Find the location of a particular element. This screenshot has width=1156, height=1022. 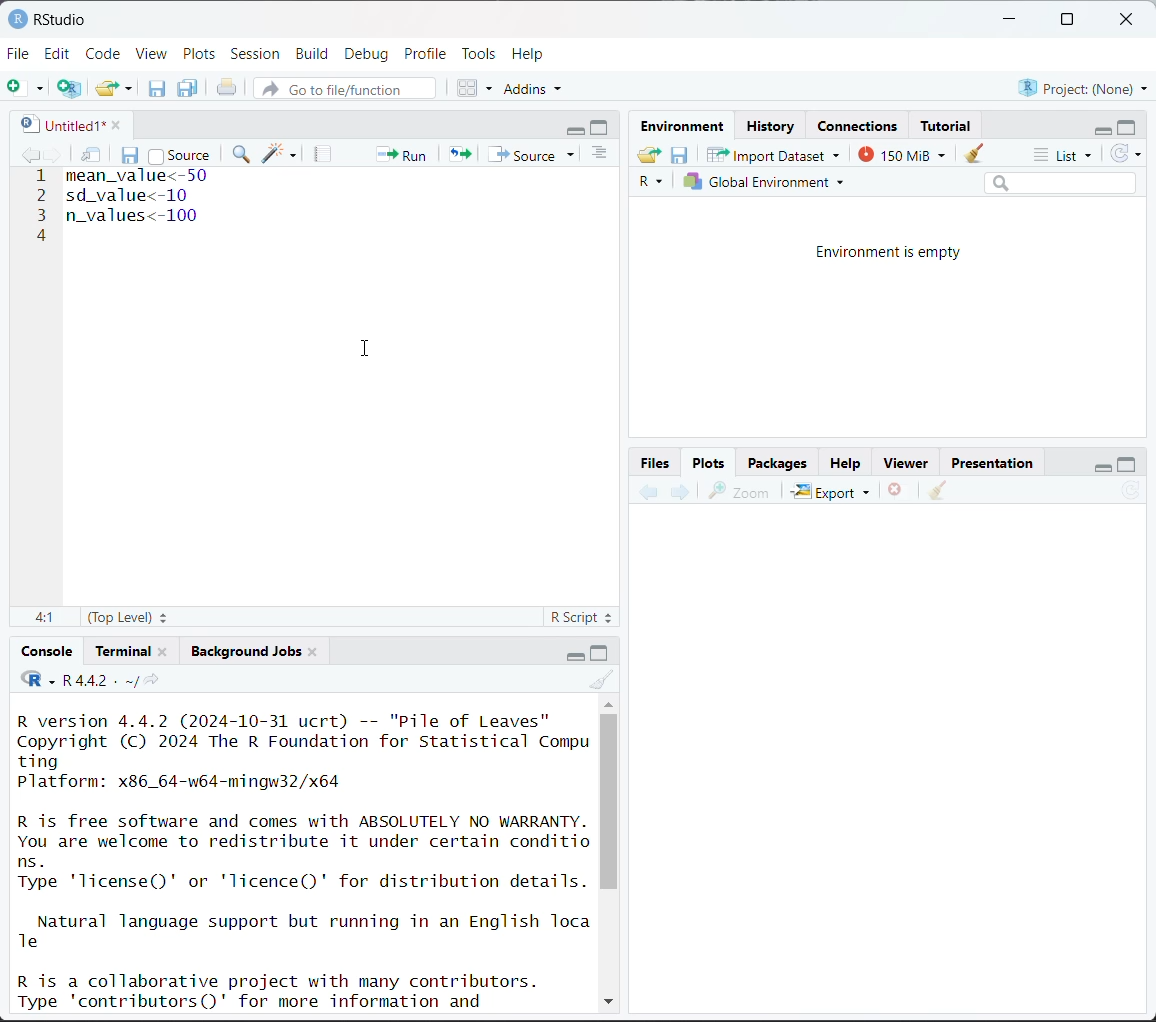

maximize is located at coordinates (602, 127).